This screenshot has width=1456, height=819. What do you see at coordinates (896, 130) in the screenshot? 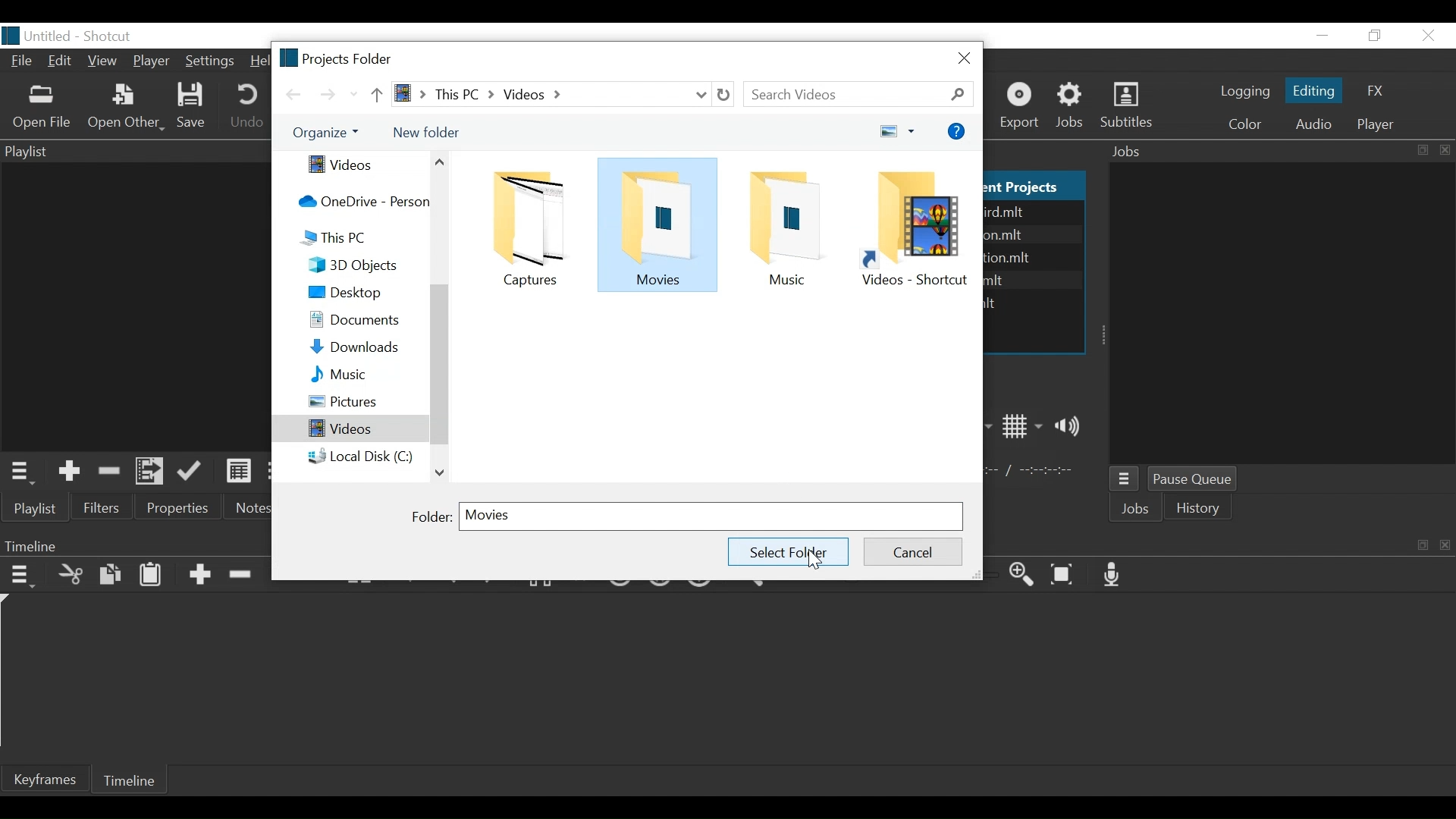
I see `view` at bounding box center [896, 130].